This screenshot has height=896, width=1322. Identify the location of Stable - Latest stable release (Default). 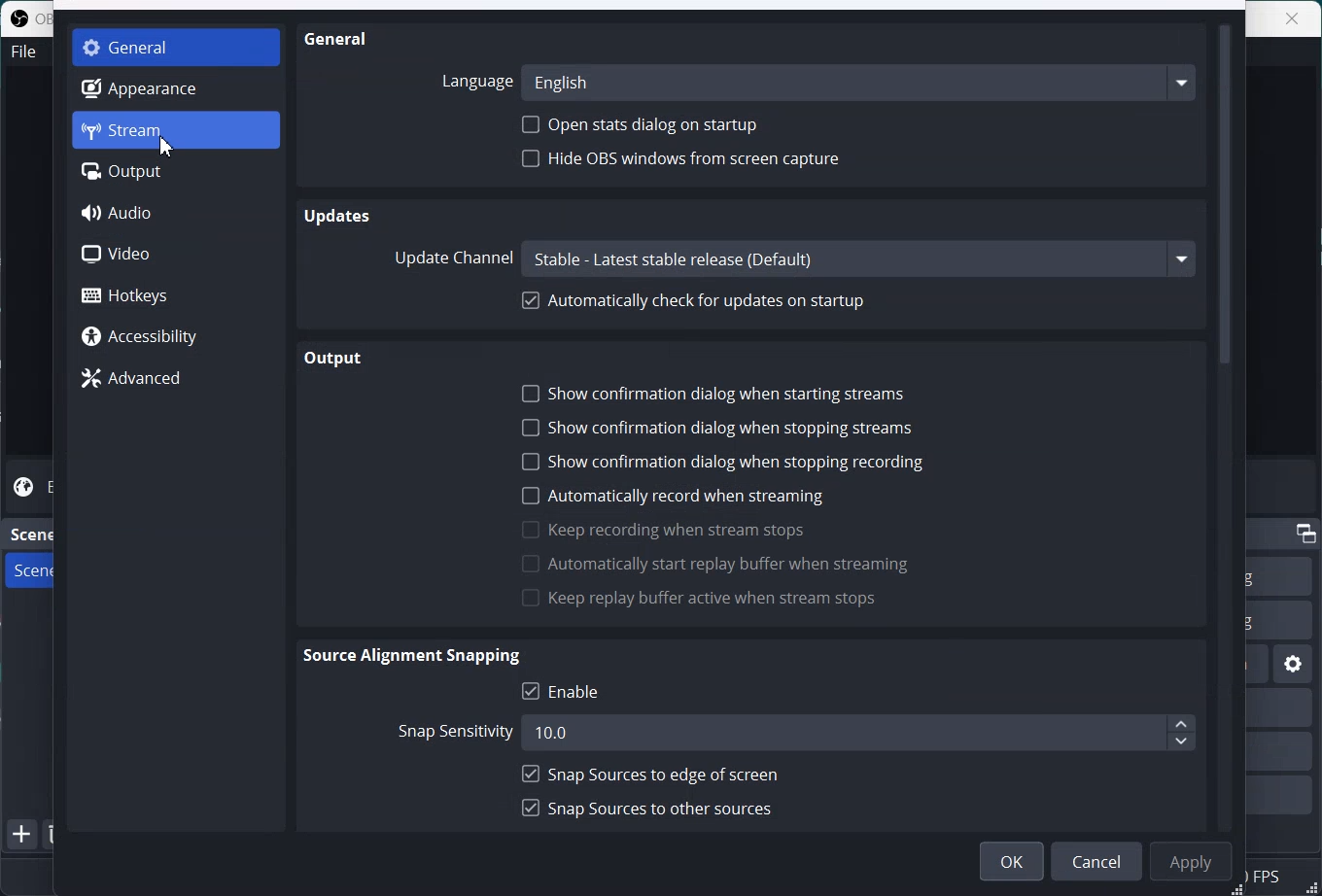
(857, 258).